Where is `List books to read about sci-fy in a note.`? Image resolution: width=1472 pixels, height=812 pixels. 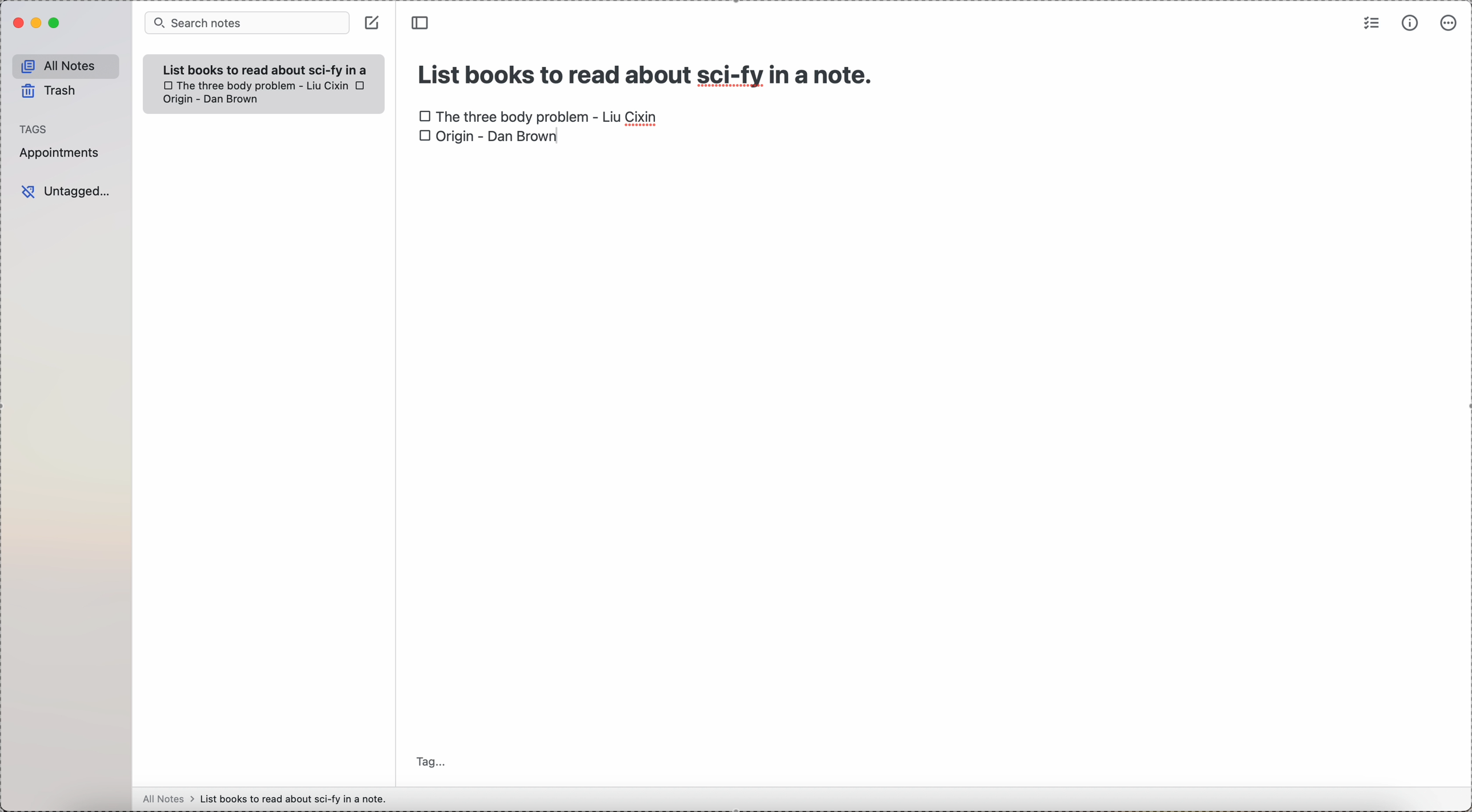 List books to read about sci-fy in a note. is located at coordinates (270, 67).